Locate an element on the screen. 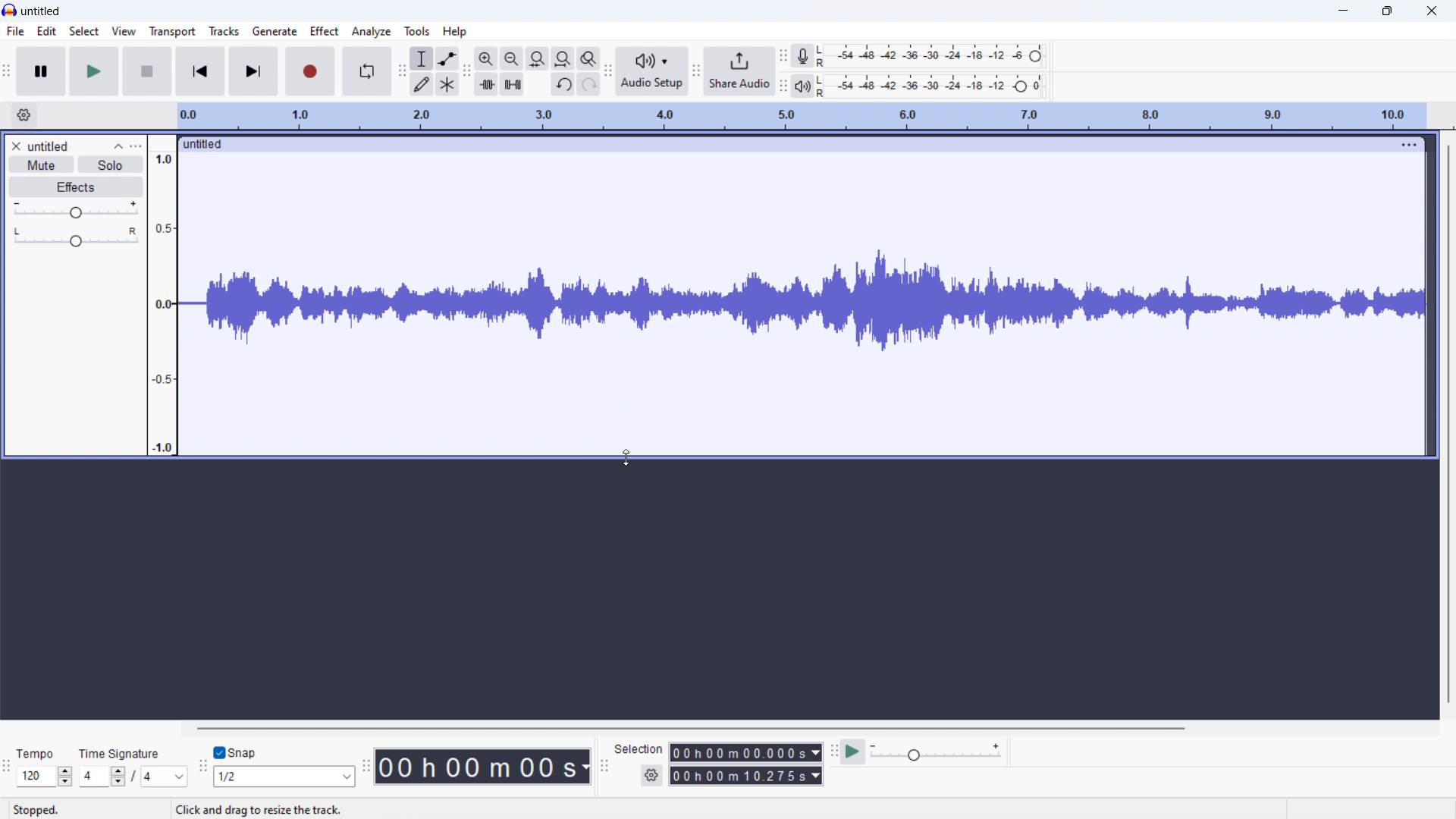 This screenshot has width=1456, height=819. set snapping is located at coordinates (285, 777).